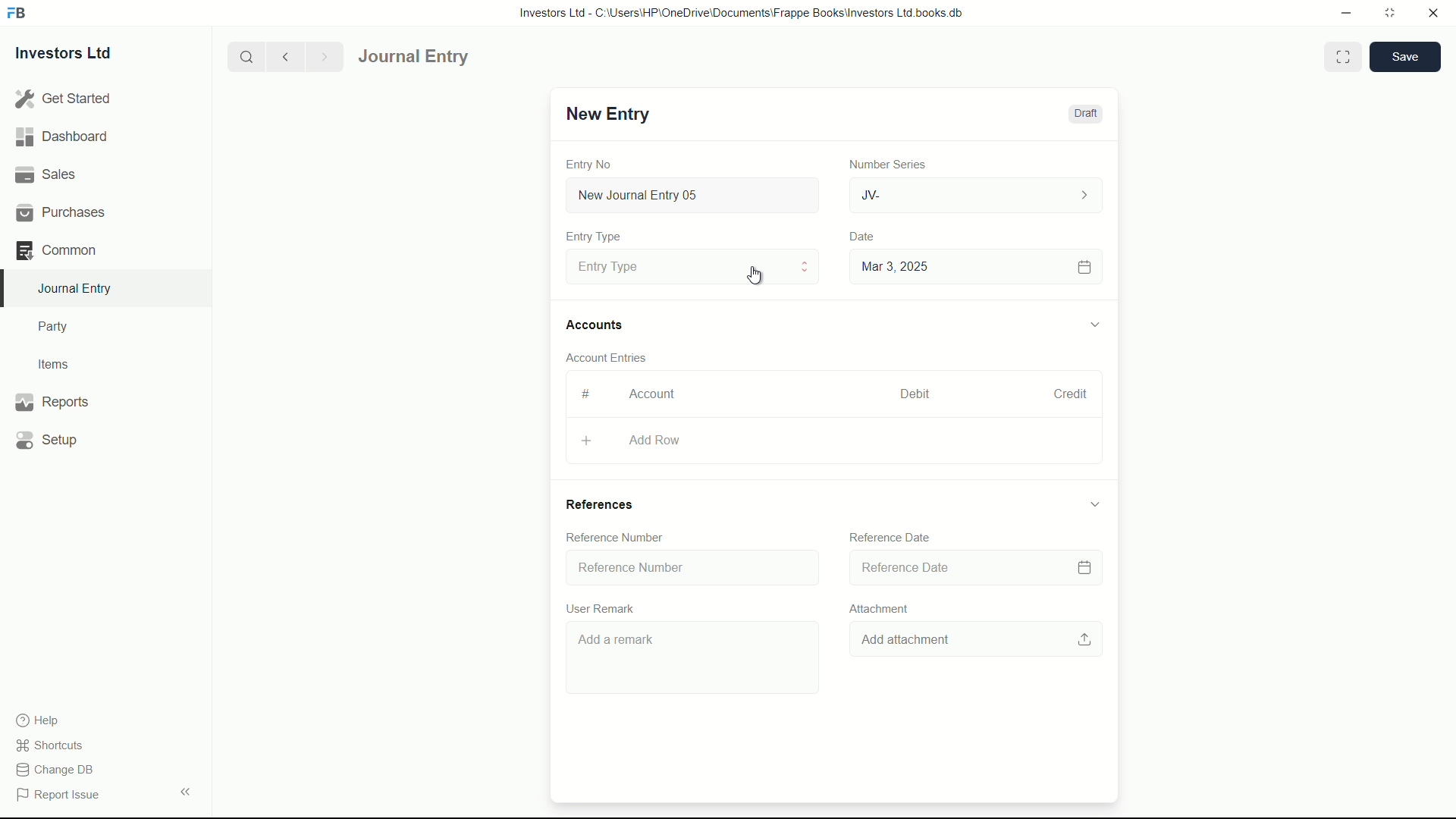 The width and height of the screenshot is (1456, 819). What do you see at coordinates (457, 57) in the screenshot?
I see `journal entry` at bounding box center [457, 57].